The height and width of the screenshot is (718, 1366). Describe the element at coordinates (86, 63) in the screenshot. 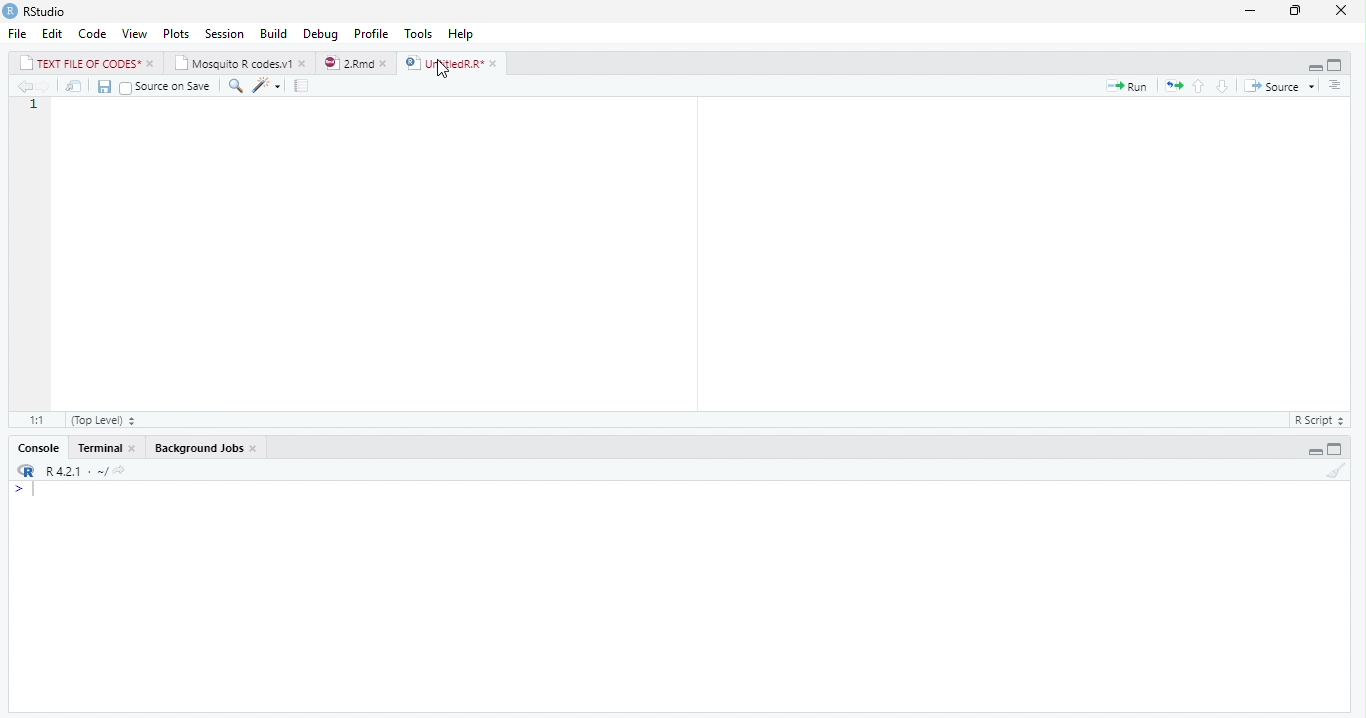

I see `TEXT FILE OF CODES*` at that location.